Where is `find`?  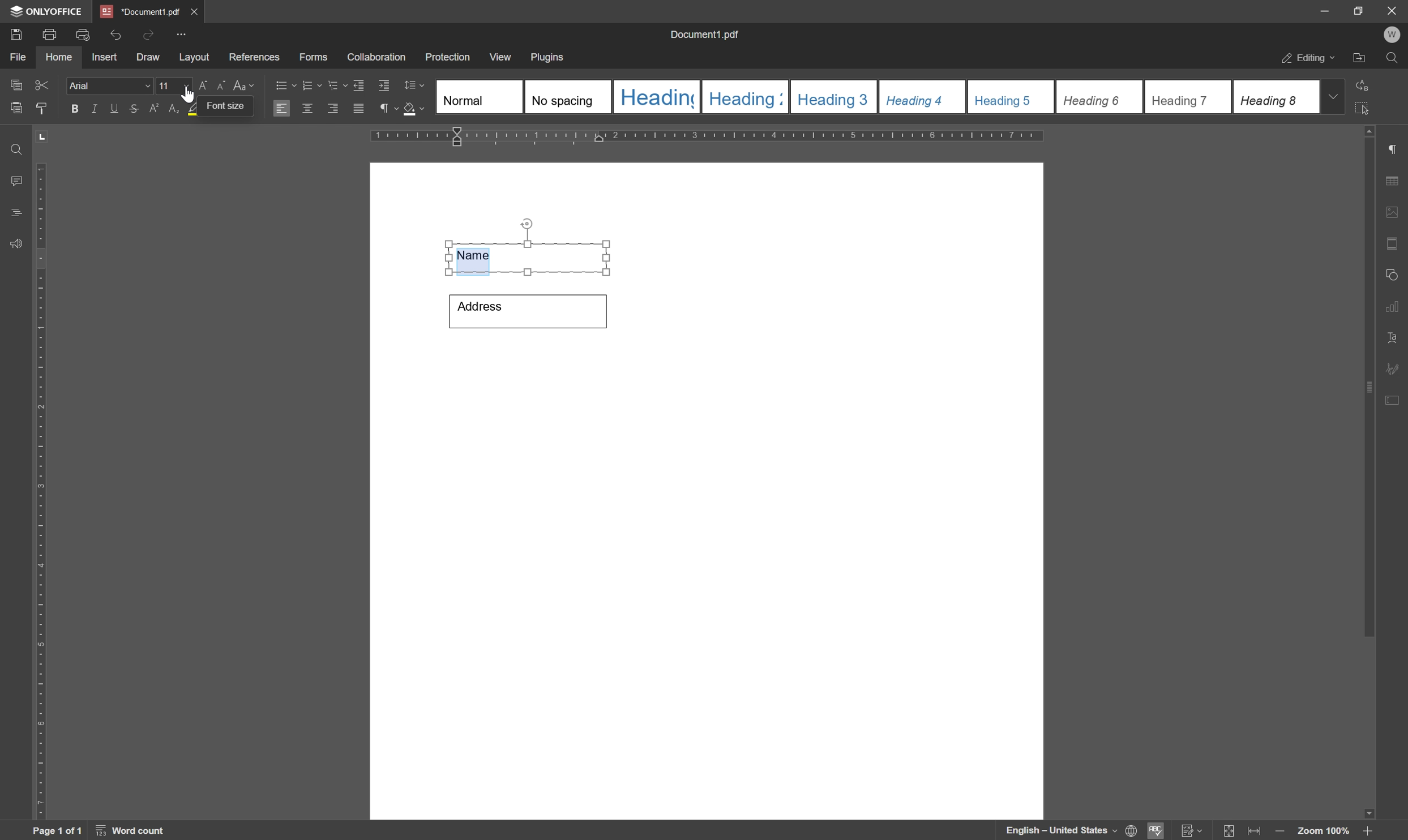 find is located at coordinates (14, 146).